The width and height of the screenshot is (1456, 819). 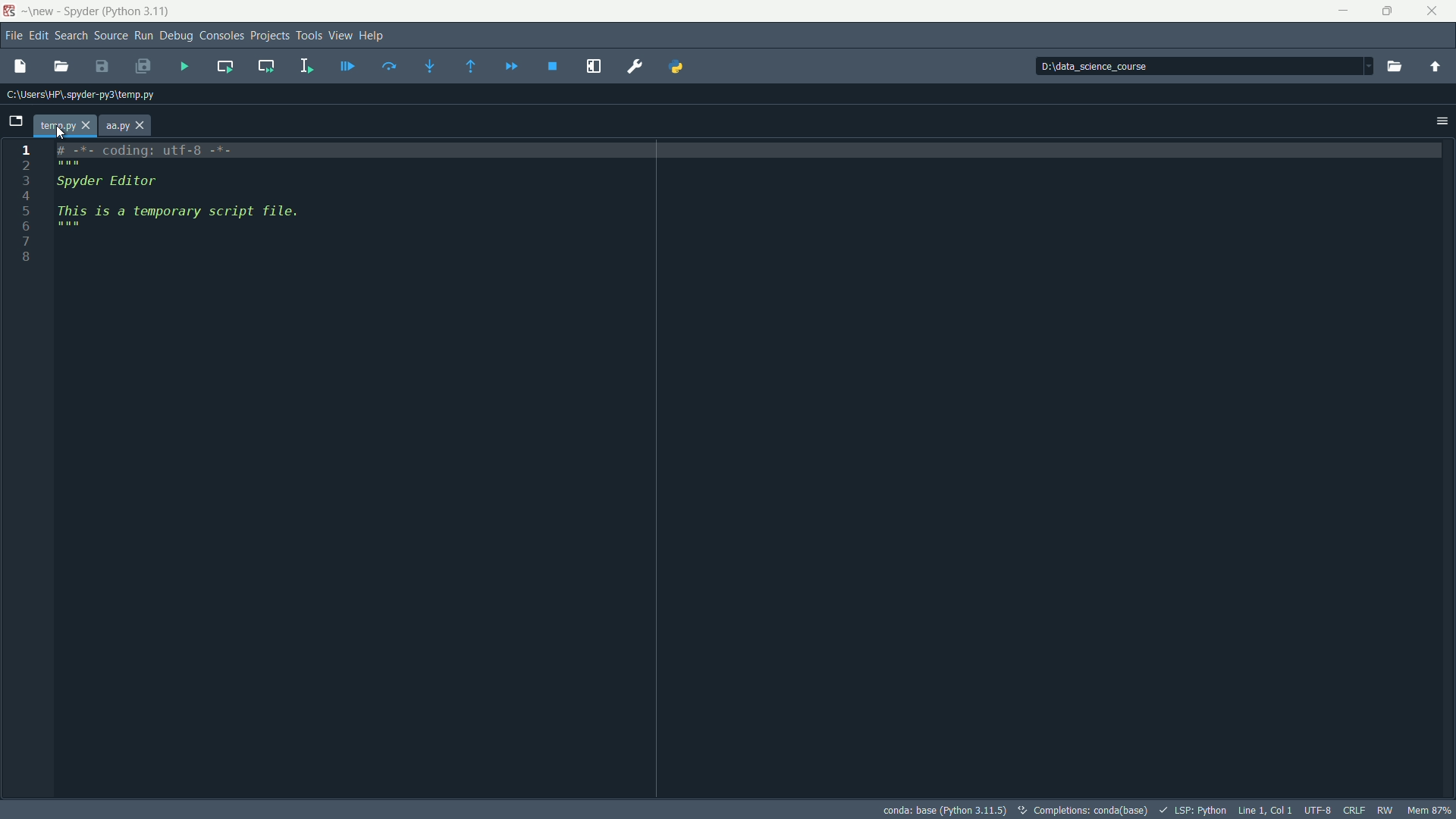 What do you see at coordinates (94, 12) in the screenshot?
I see `~\new - Spyder(Python 3.11)` at bounding box center [94, 12].